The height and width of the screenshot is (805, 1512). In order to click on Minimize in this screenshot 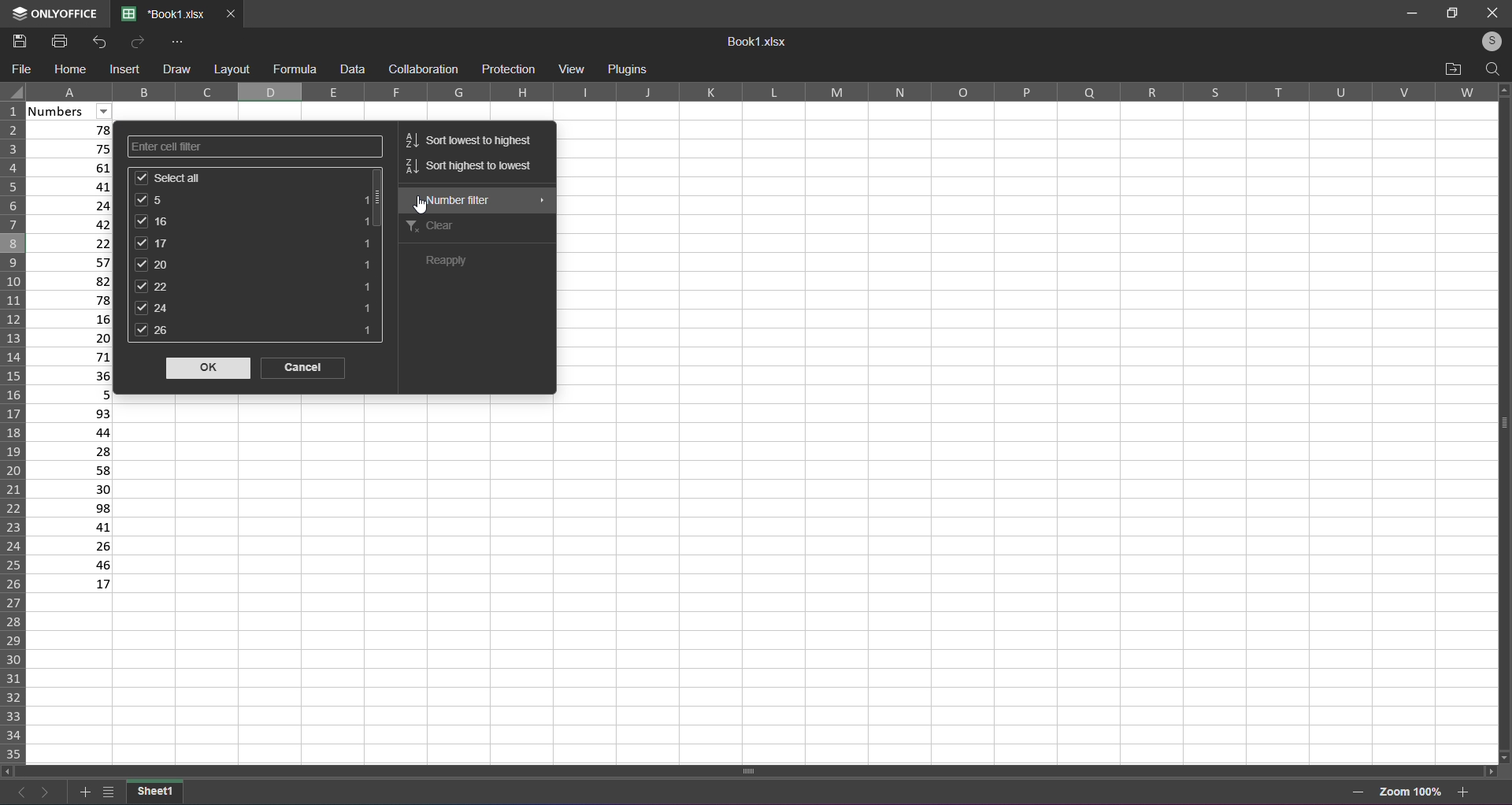, I will do `click(1408, 12)`.